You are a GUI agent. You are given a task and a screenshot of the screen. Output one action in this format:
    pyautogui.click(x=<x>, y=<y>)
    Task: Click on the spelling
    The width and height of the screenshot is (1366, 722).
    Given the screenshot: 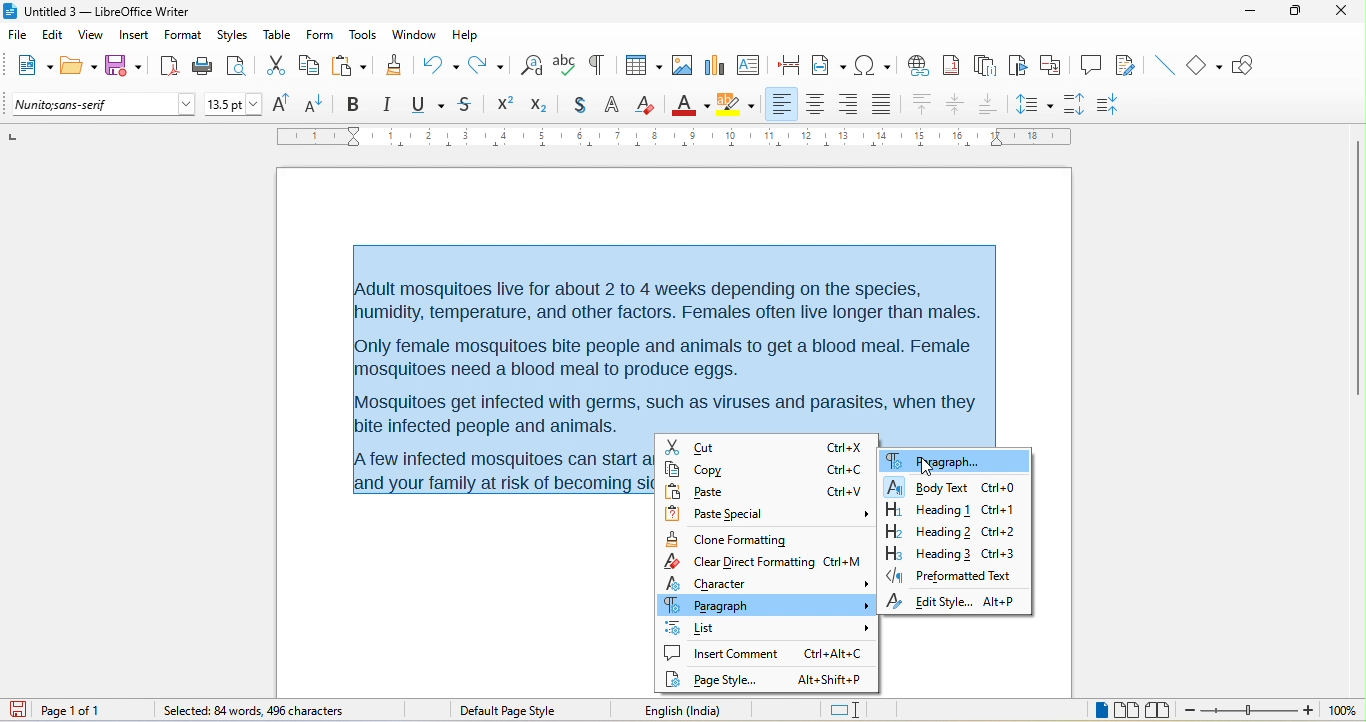 What is the action you would take?
    pyautogui.click(x=565, y=63)
    